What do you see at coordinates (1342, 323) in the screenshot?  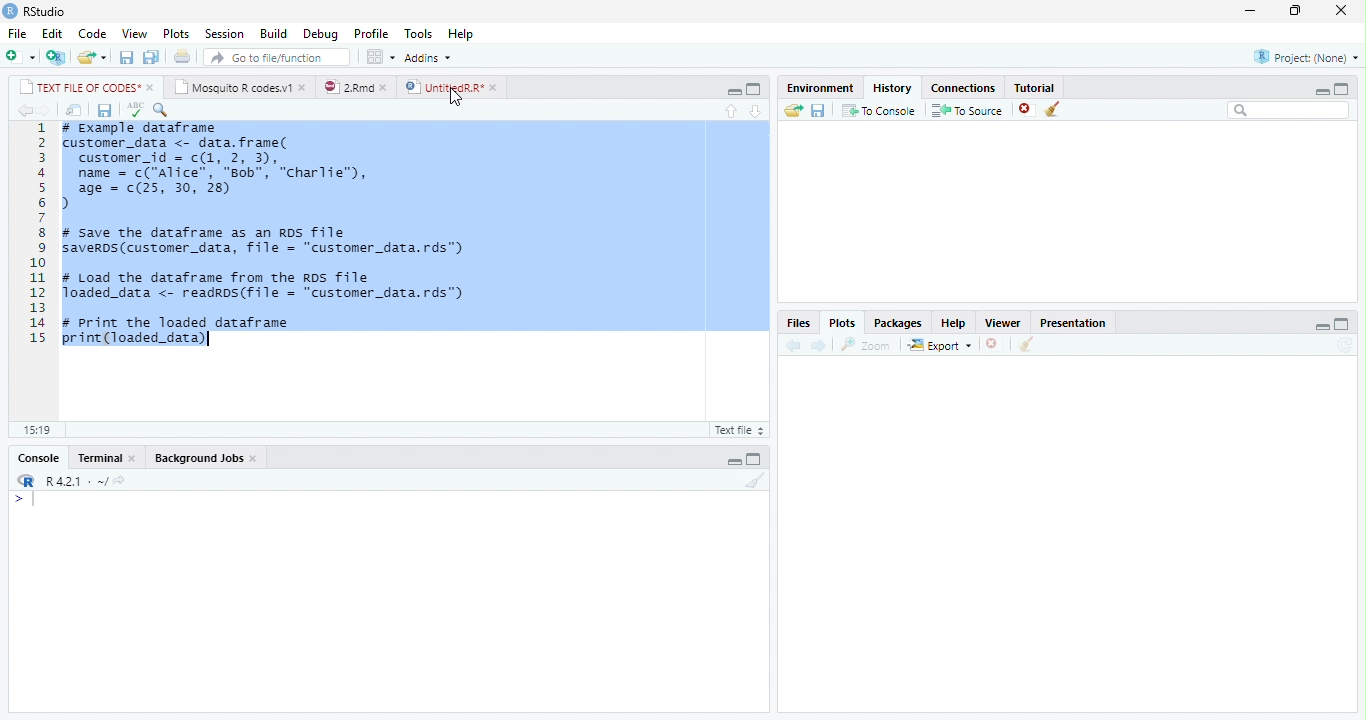 I see `maximize` at bounding box center [1342, 323].